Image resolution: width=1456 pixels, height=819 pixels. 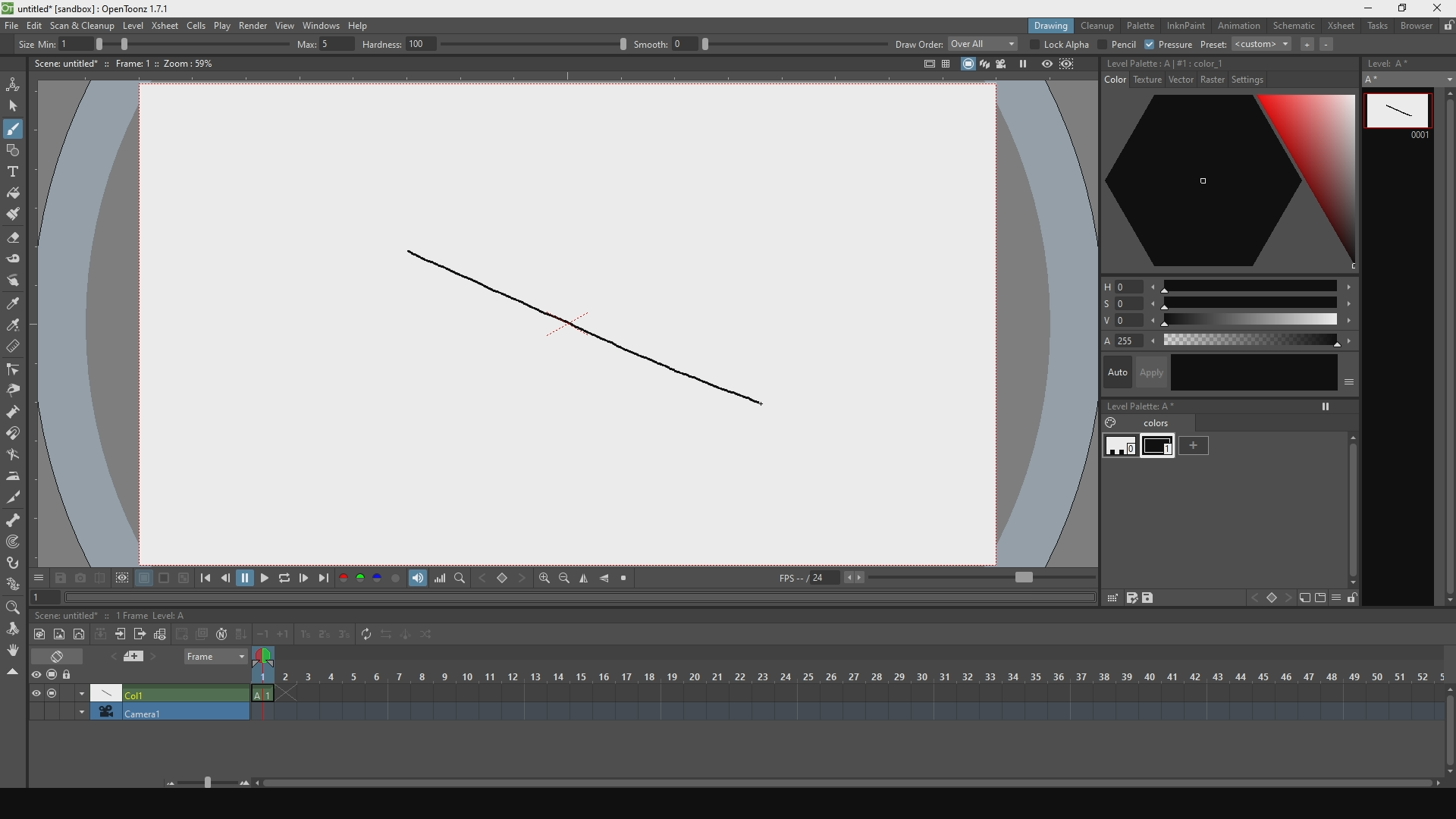 What do you see at coordinates (1224, 406) in the screenshot?
I see `level palette` at bounding box center [1224, 406].